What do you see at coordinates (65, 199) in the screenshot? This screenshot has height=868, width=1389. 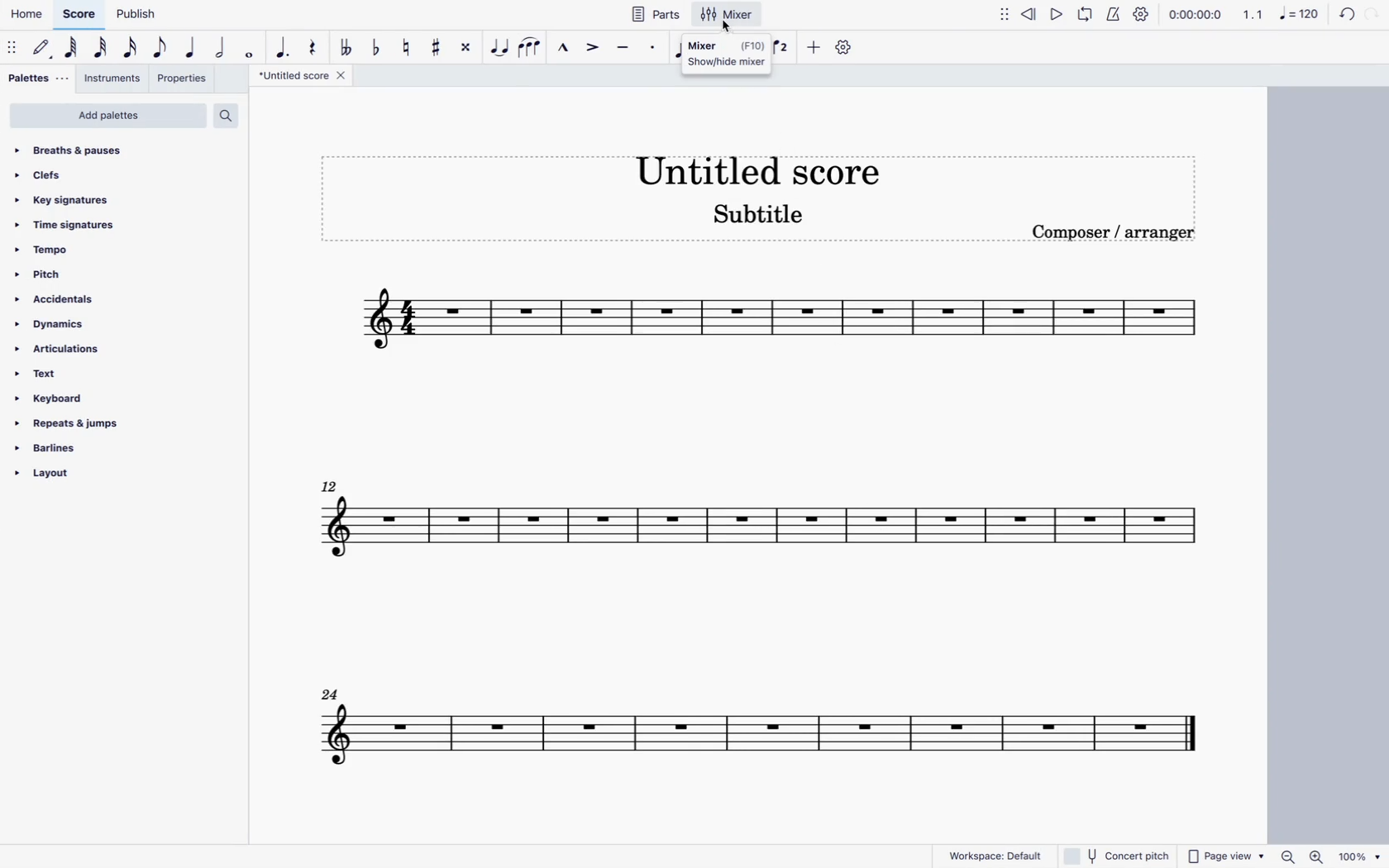 I see `key signatures` at bounding box center [65, 199].